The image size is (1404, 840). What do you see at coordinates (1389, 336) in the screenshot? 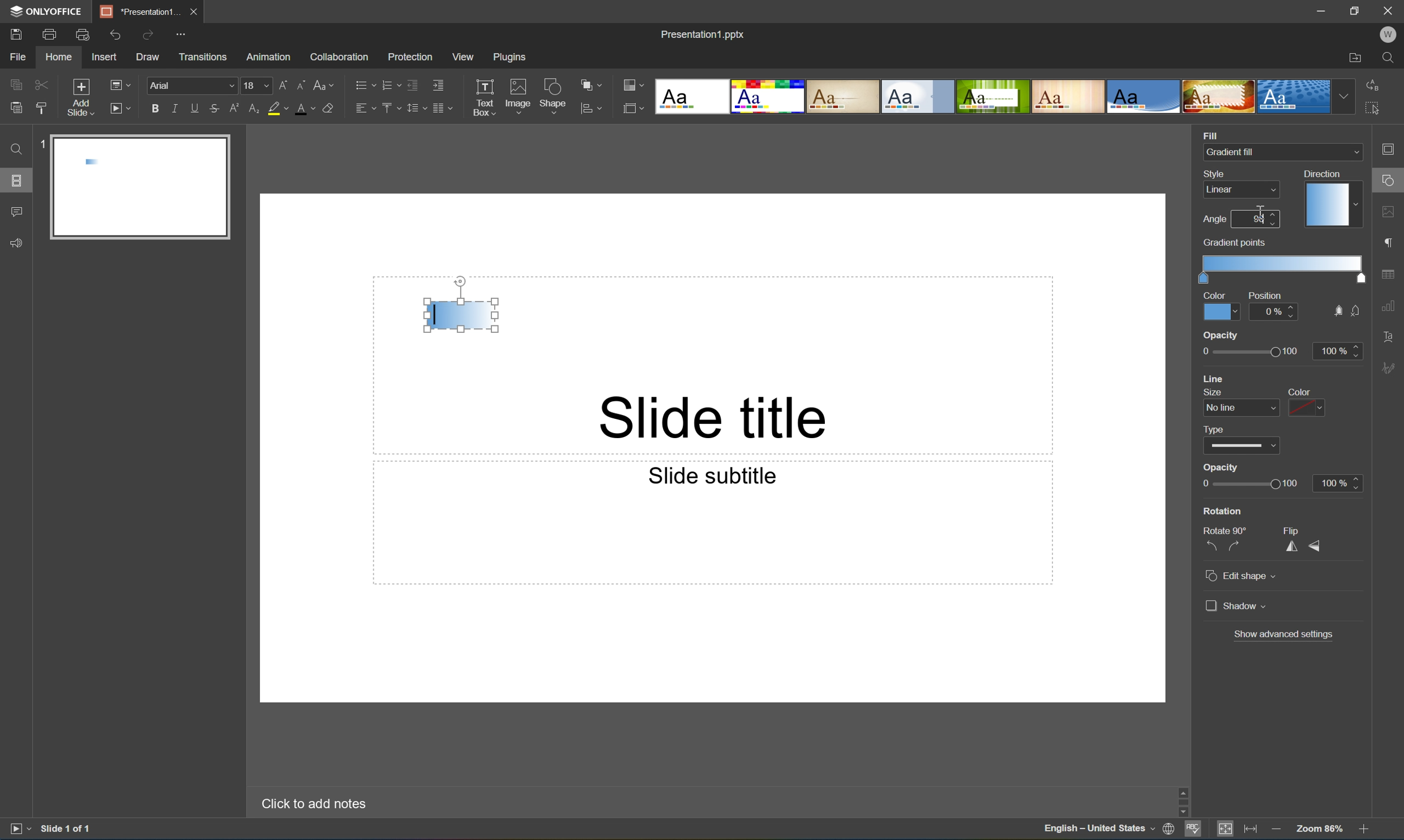
I see `Text Art settings` at bounding box center [1389, 336].